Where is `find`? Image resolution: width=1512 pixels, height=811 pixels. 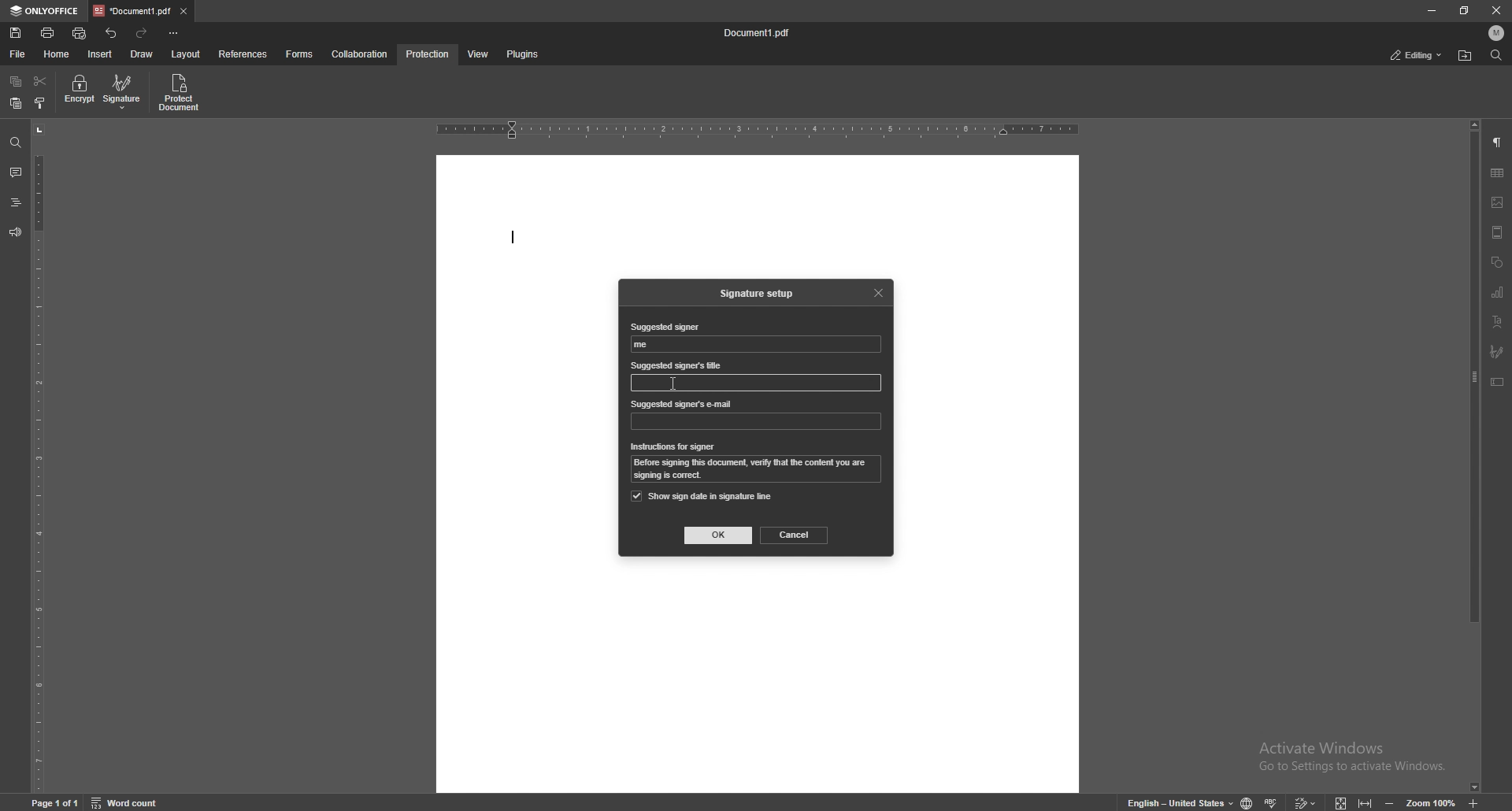 find is located at coordinates (1496, 56).